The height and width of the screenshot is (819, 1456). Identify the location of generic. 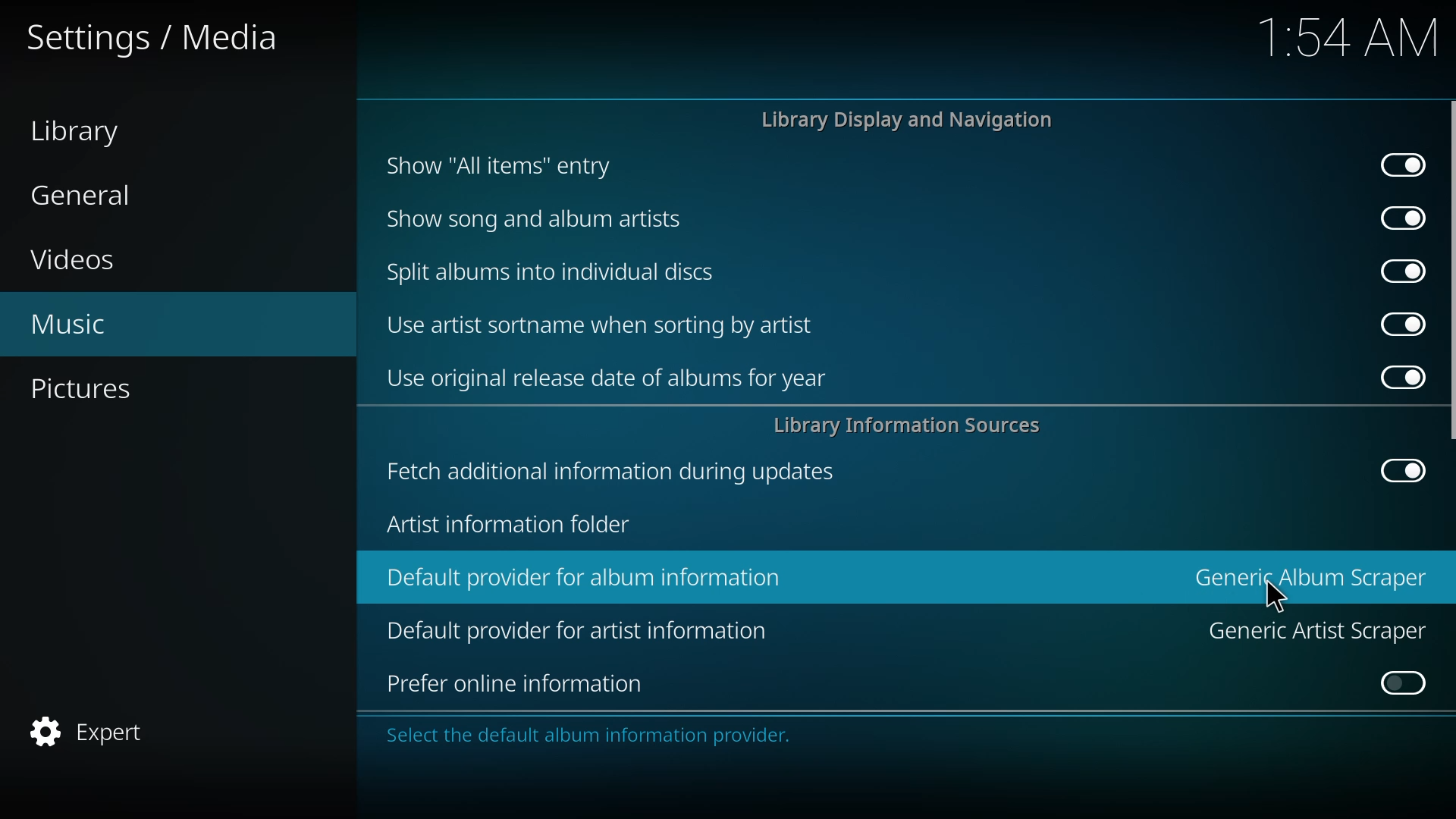
(1308, 580).